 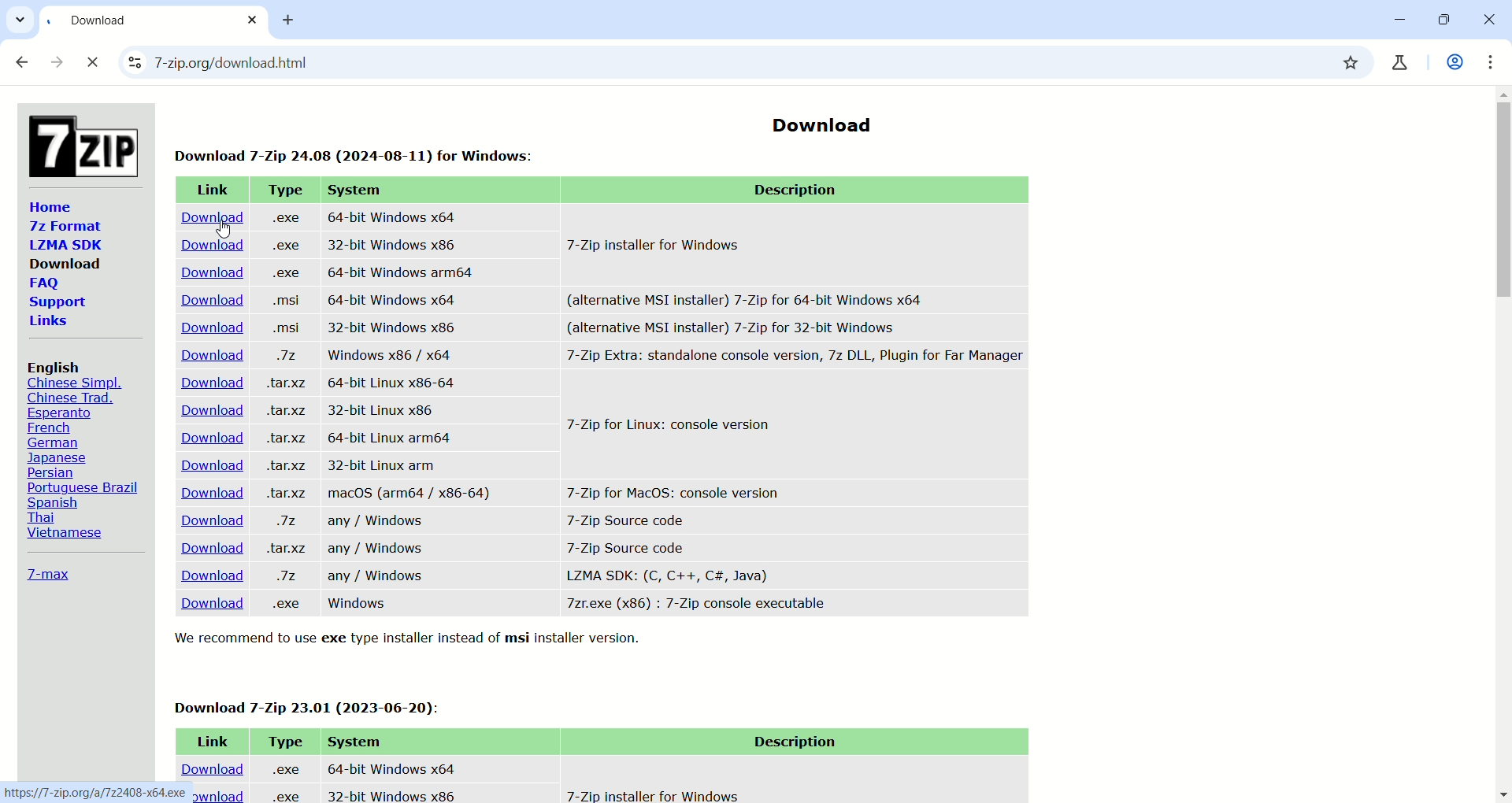 What do you see at coordinates (224, 229) in the screenshot?
I see `cursor` at bounding box center [224, 229].